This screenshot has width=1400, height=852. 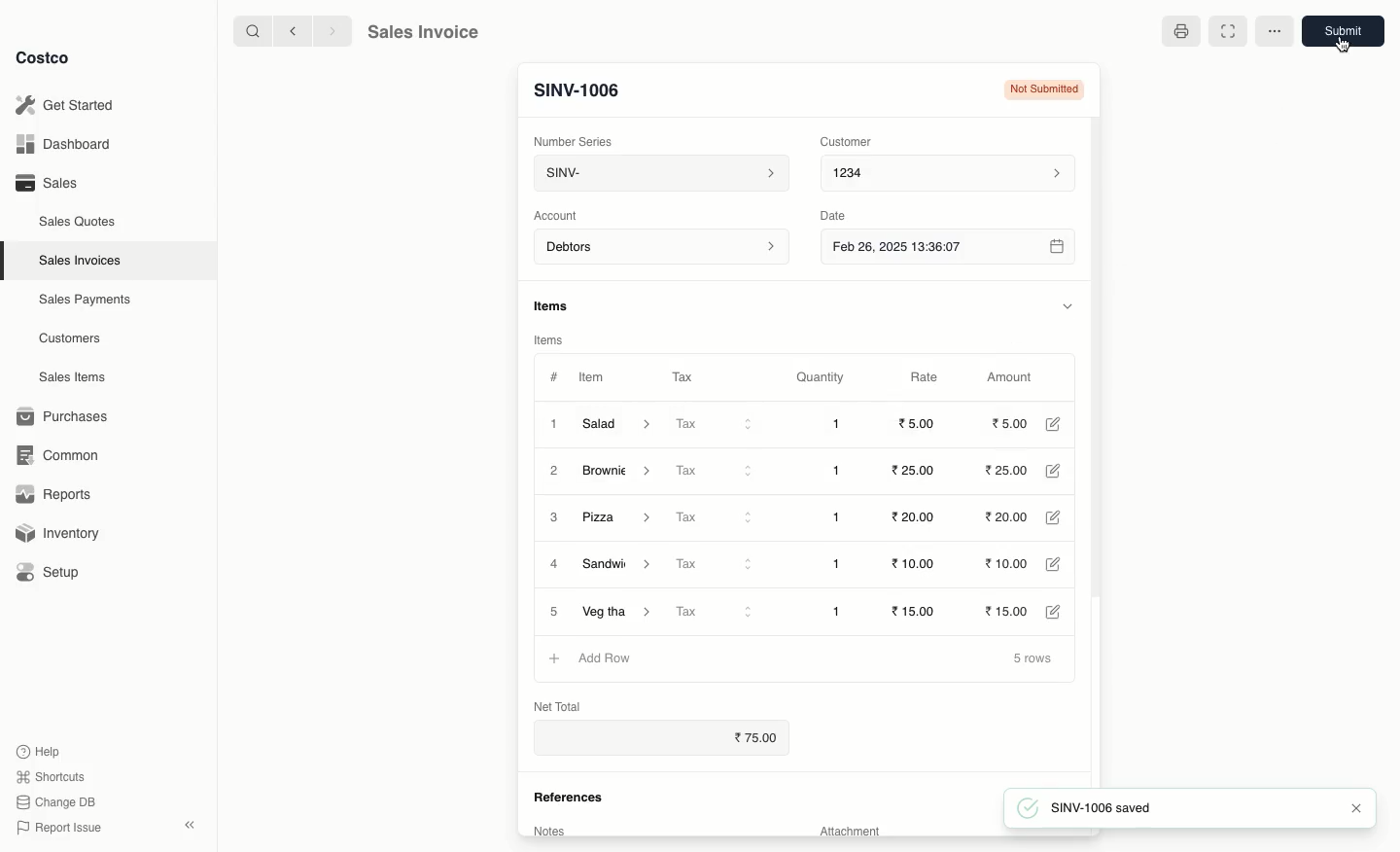 I want to click on Inventory, so click(x=61, y=531).